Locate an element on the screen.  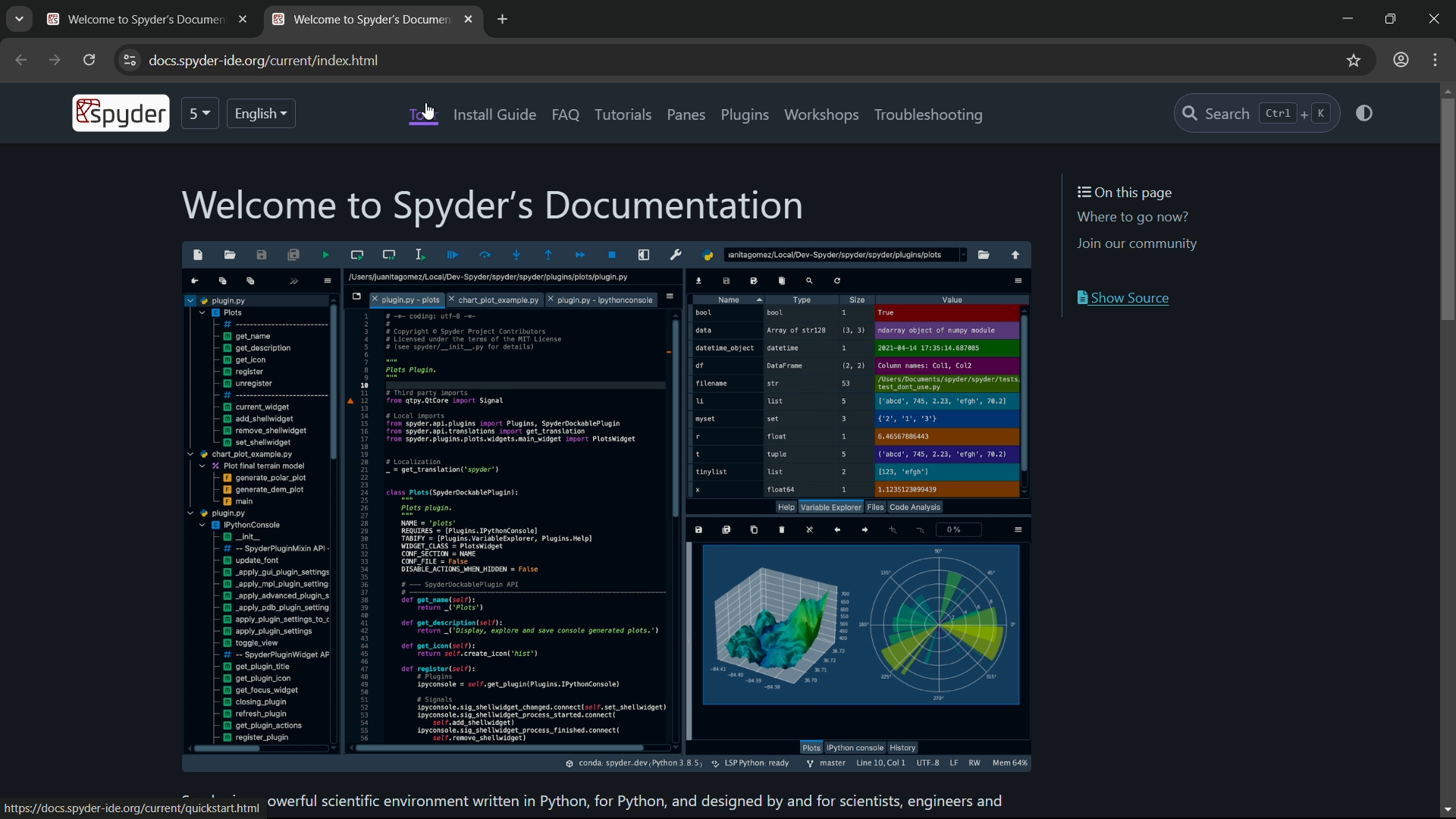
restore is located at coordinates (1395, 17).